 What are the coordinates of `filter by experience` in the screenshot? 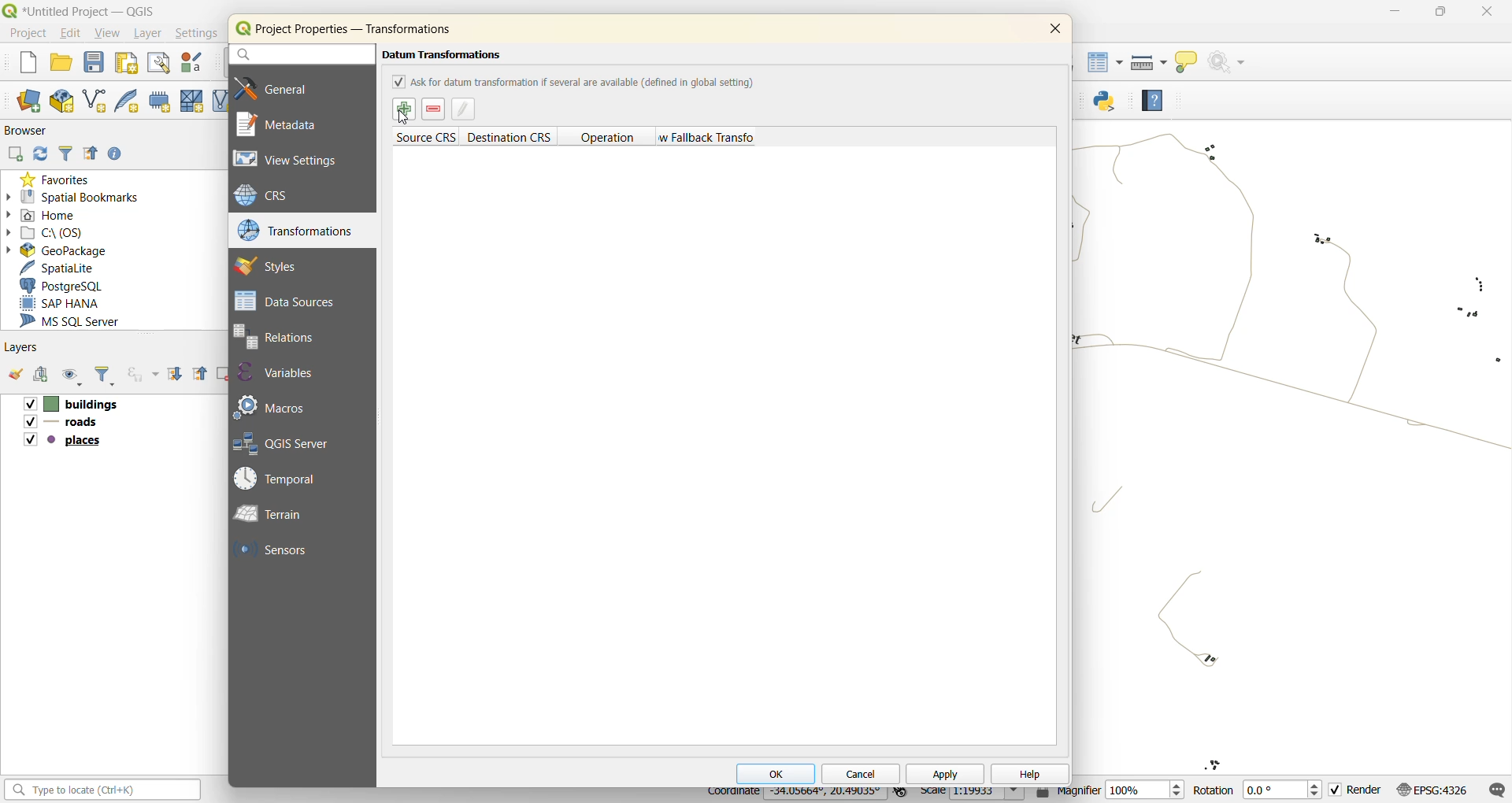 It's located at (141, 375).